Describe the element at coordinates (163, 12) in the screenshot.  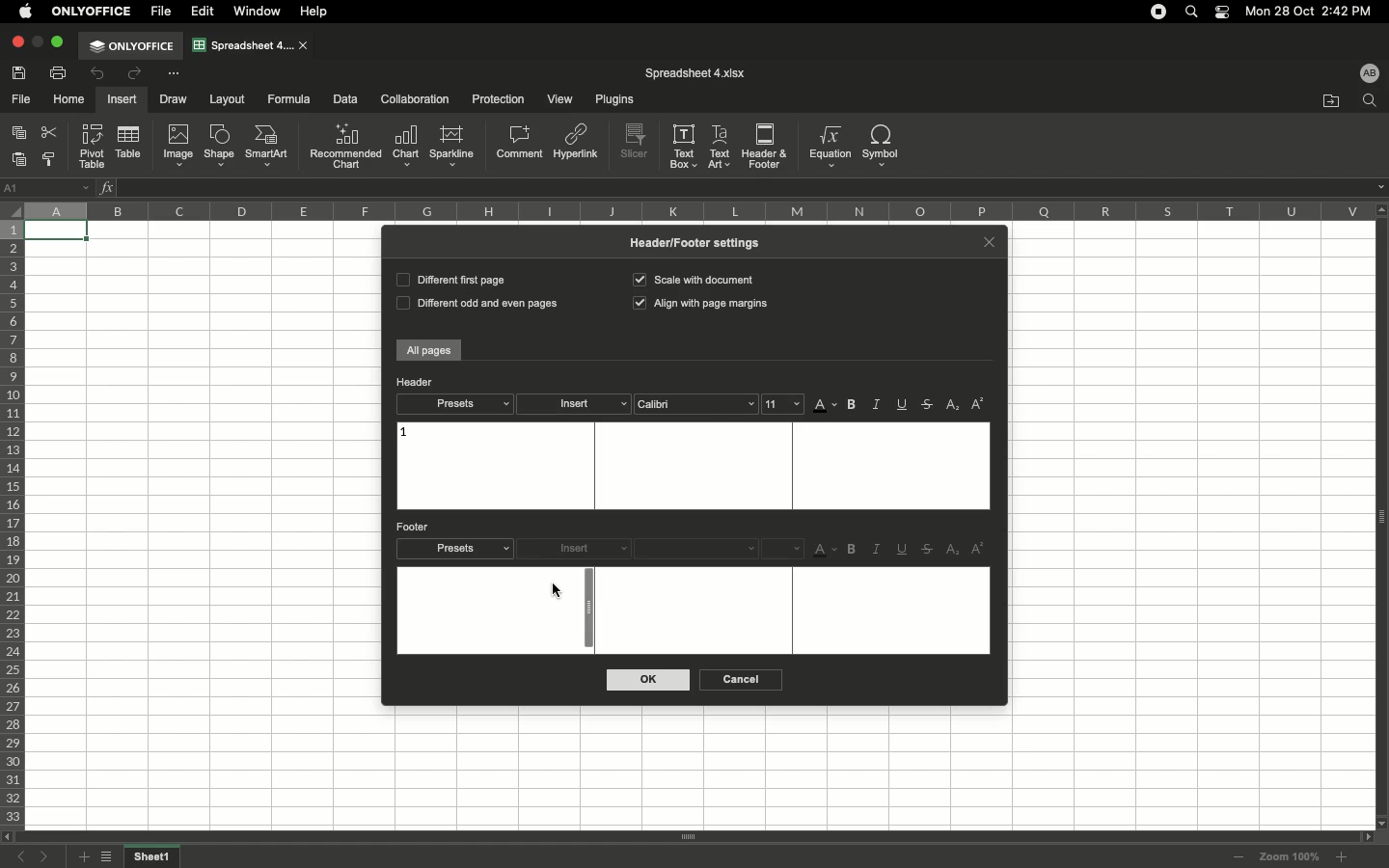
I see `File` at that location.